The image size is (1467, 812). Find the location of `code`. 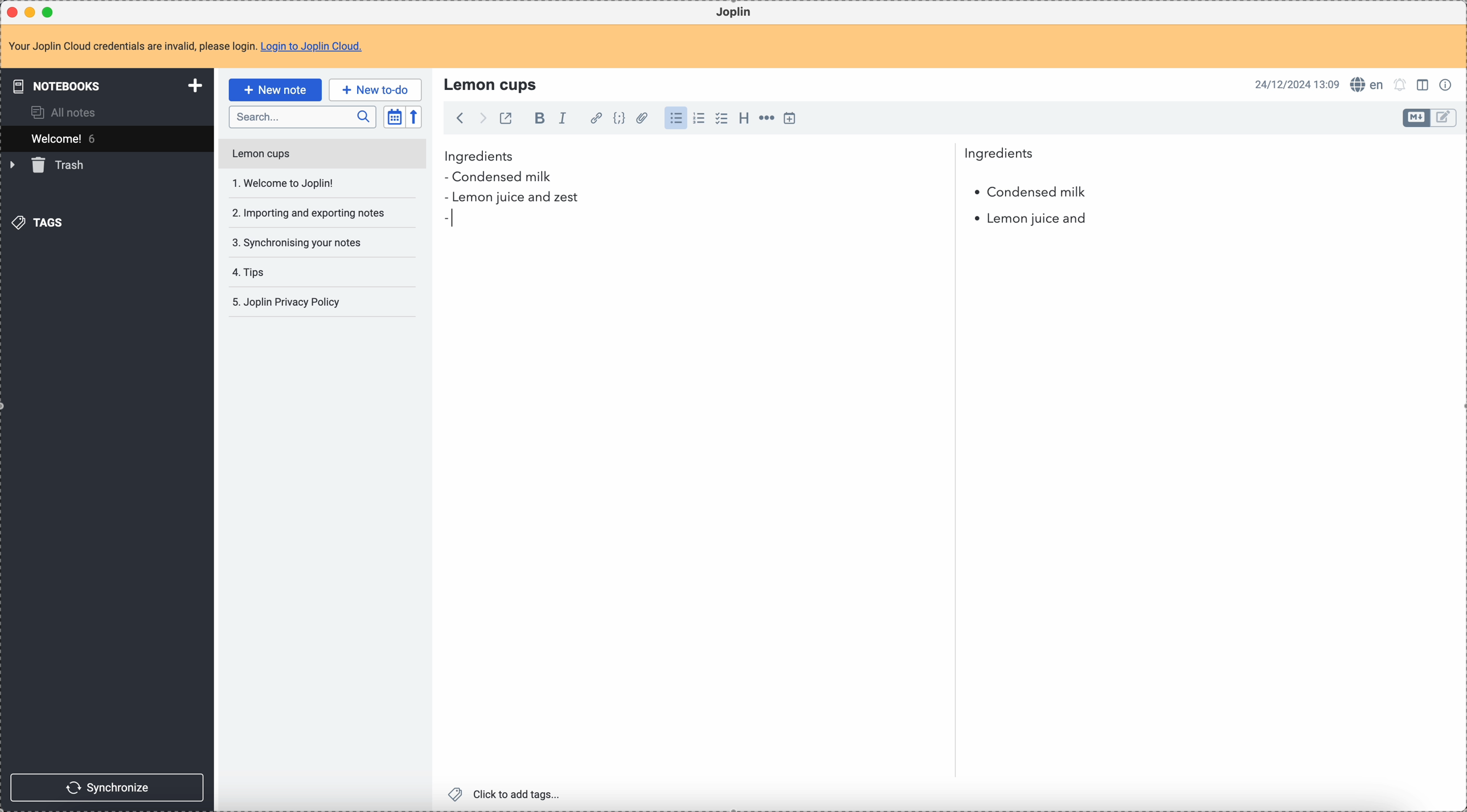

code is located at coordinates (619, 119).